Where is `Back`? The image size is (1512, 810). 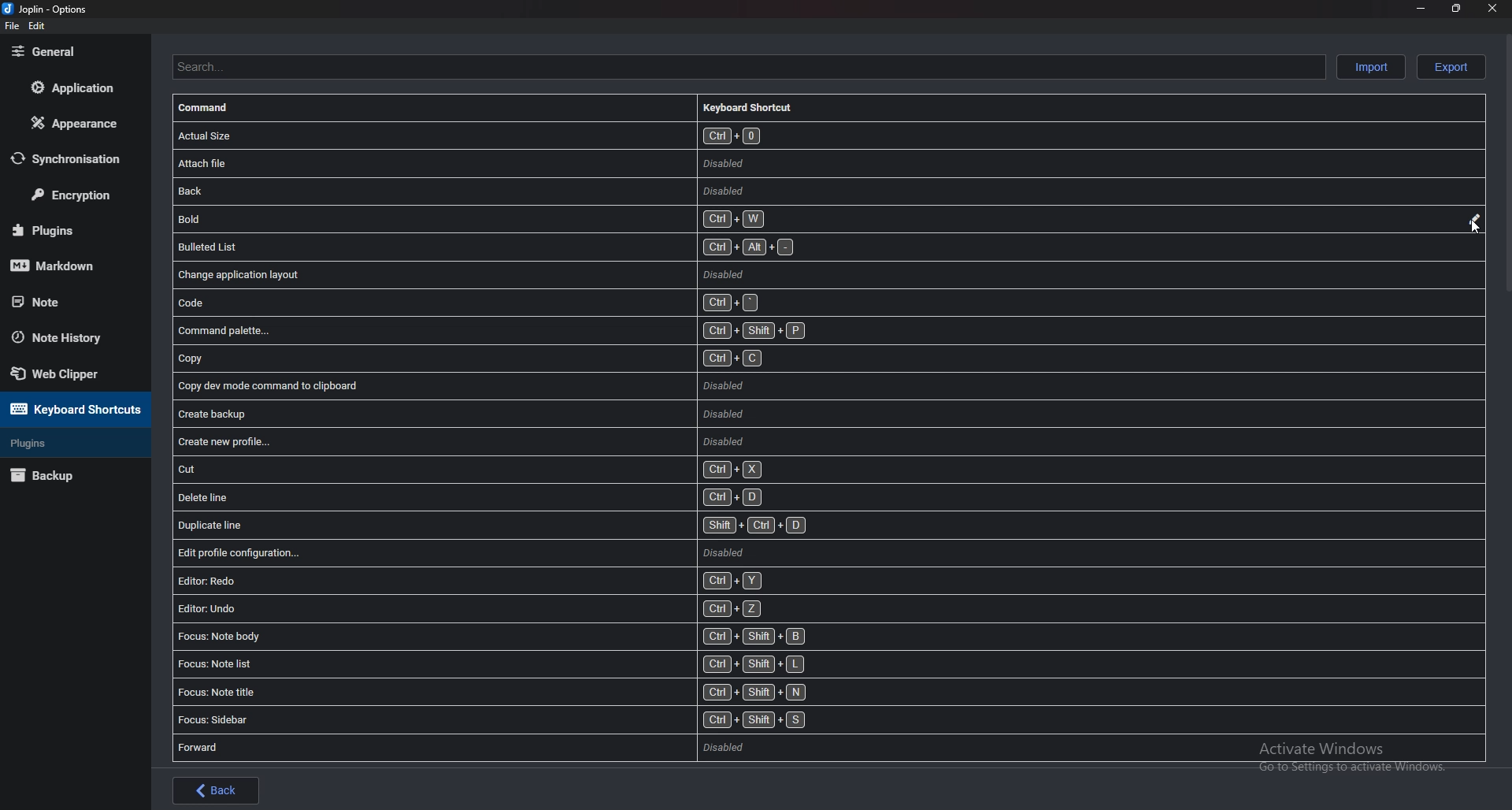
Back is located at coordinates (216, 790).